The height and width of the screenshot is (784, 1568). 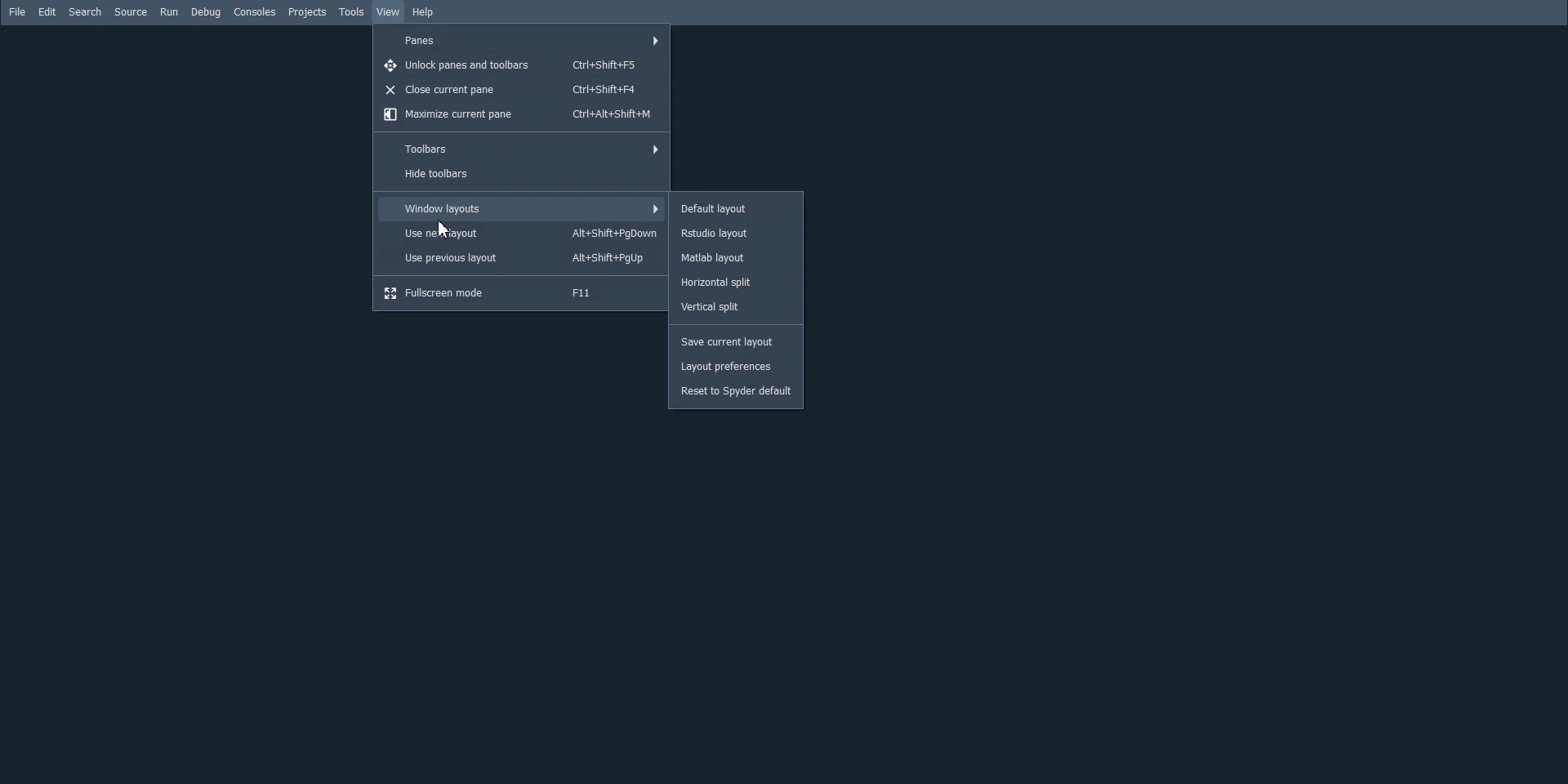 What do you see at coordinates (425, 13) in the screenshot?
I see `Help` at bounding box center [425, 13].